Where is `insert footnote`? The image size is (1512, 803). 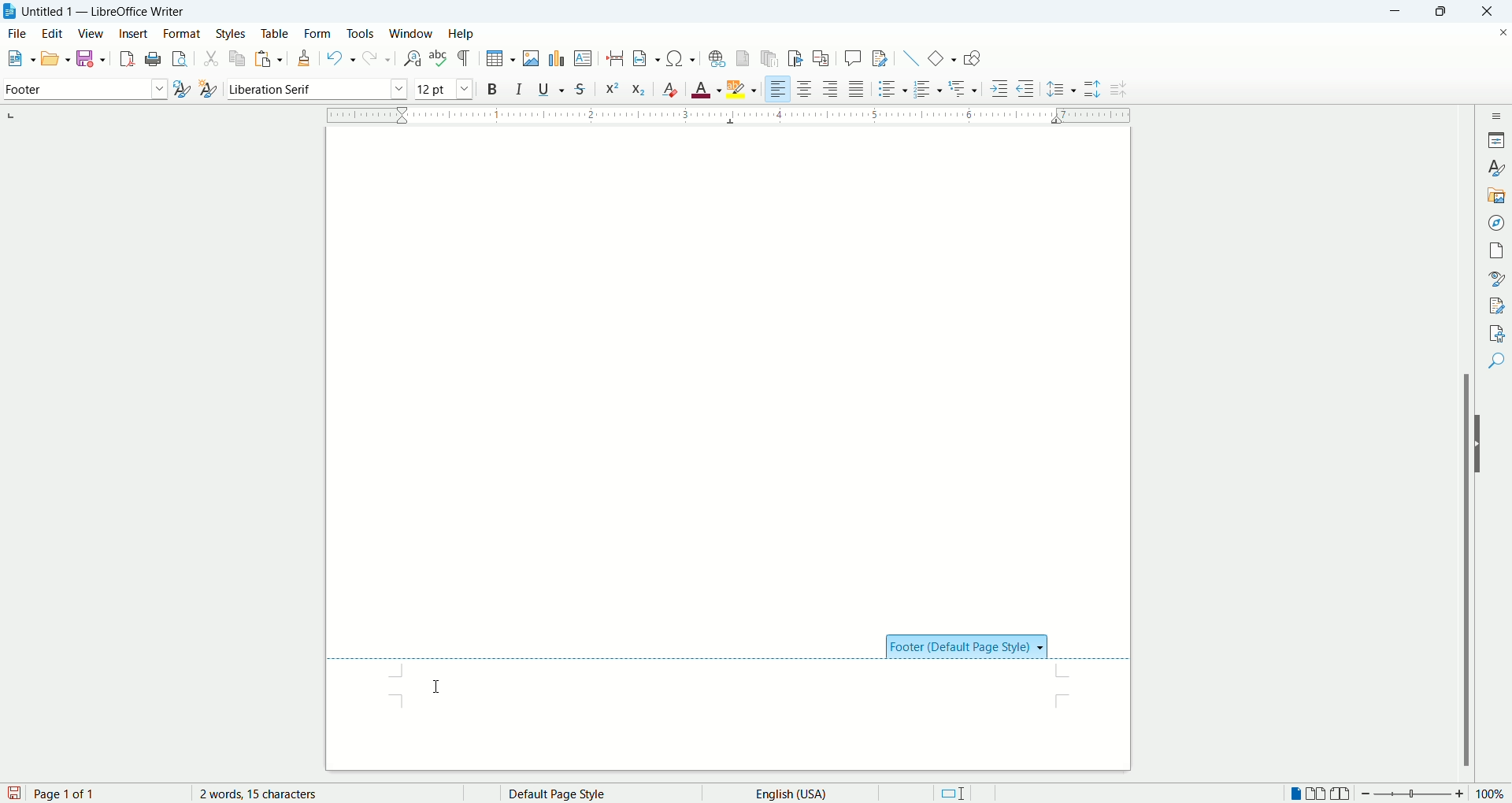 insert footnote is located at coordinates (743, 58).